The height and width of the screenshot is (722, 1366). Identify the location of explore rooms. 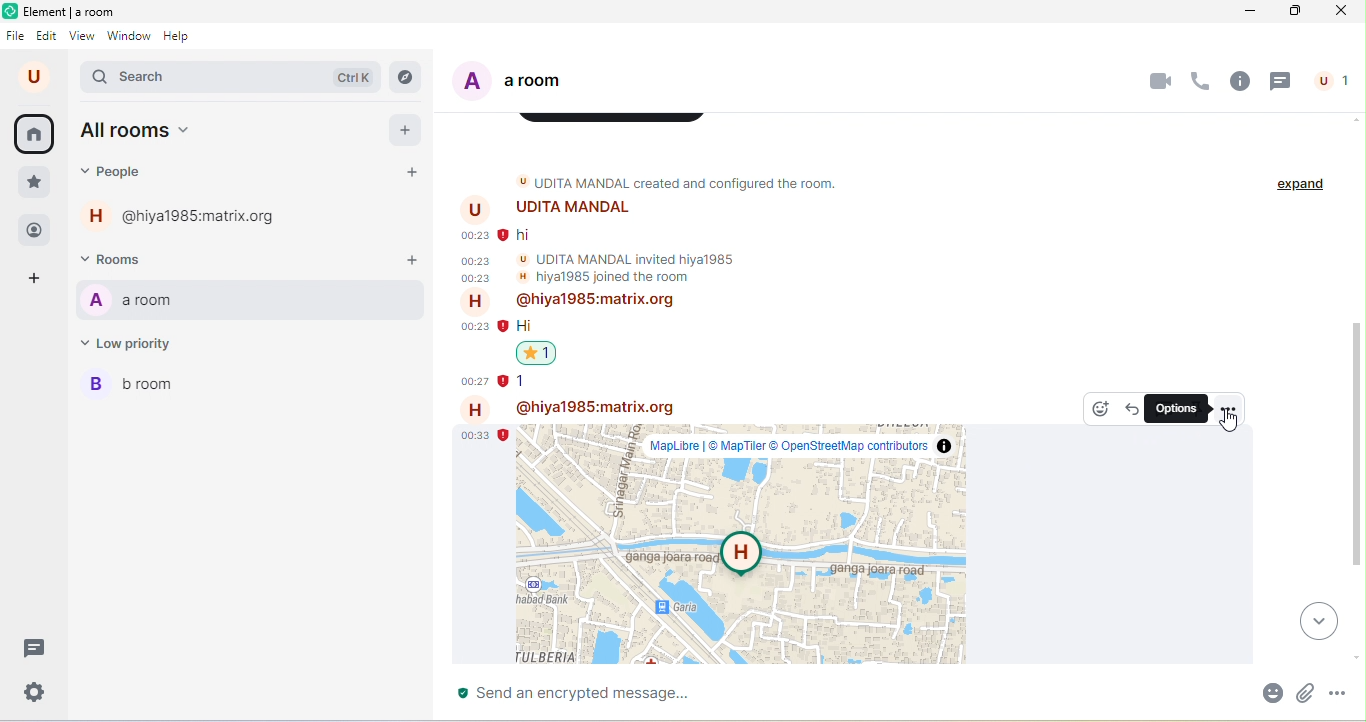
(407, 79).